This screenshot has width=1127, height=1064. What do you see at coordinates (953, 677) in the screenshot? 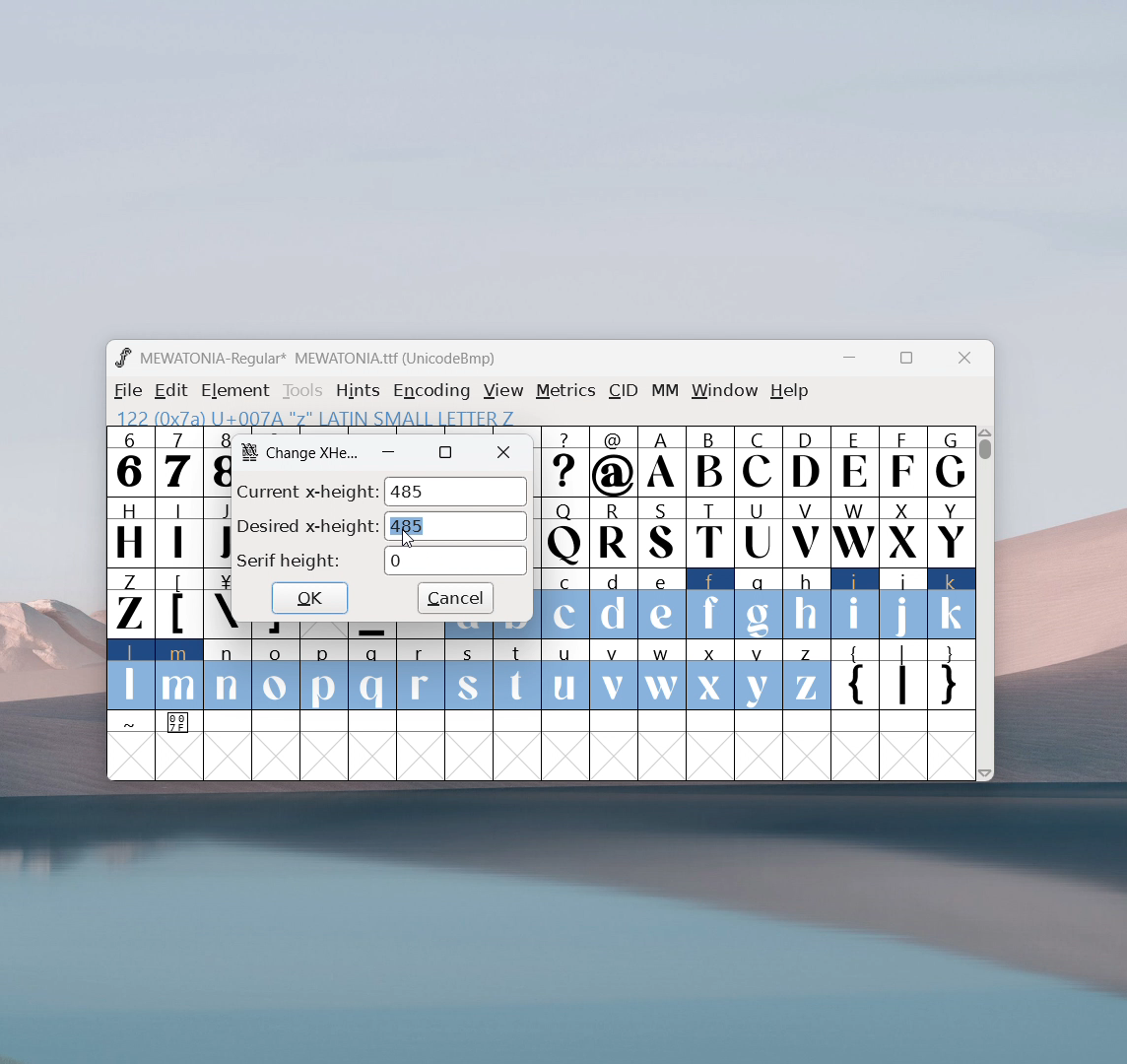
I see `}` at bounding box center [953, 677].